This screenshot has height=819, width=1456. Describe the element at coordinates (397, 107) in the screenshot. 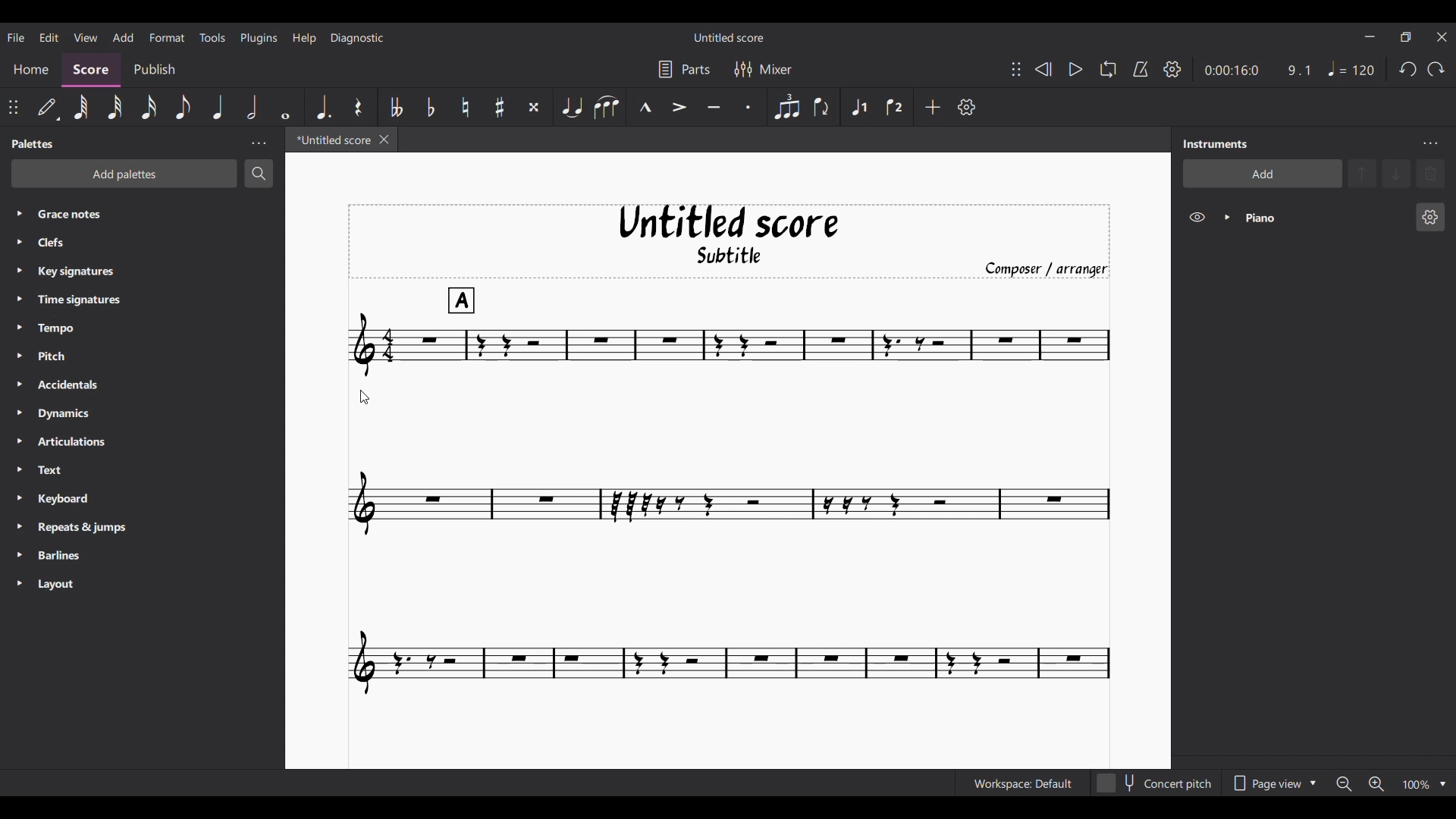

I see `Toggle double flat` at that location.